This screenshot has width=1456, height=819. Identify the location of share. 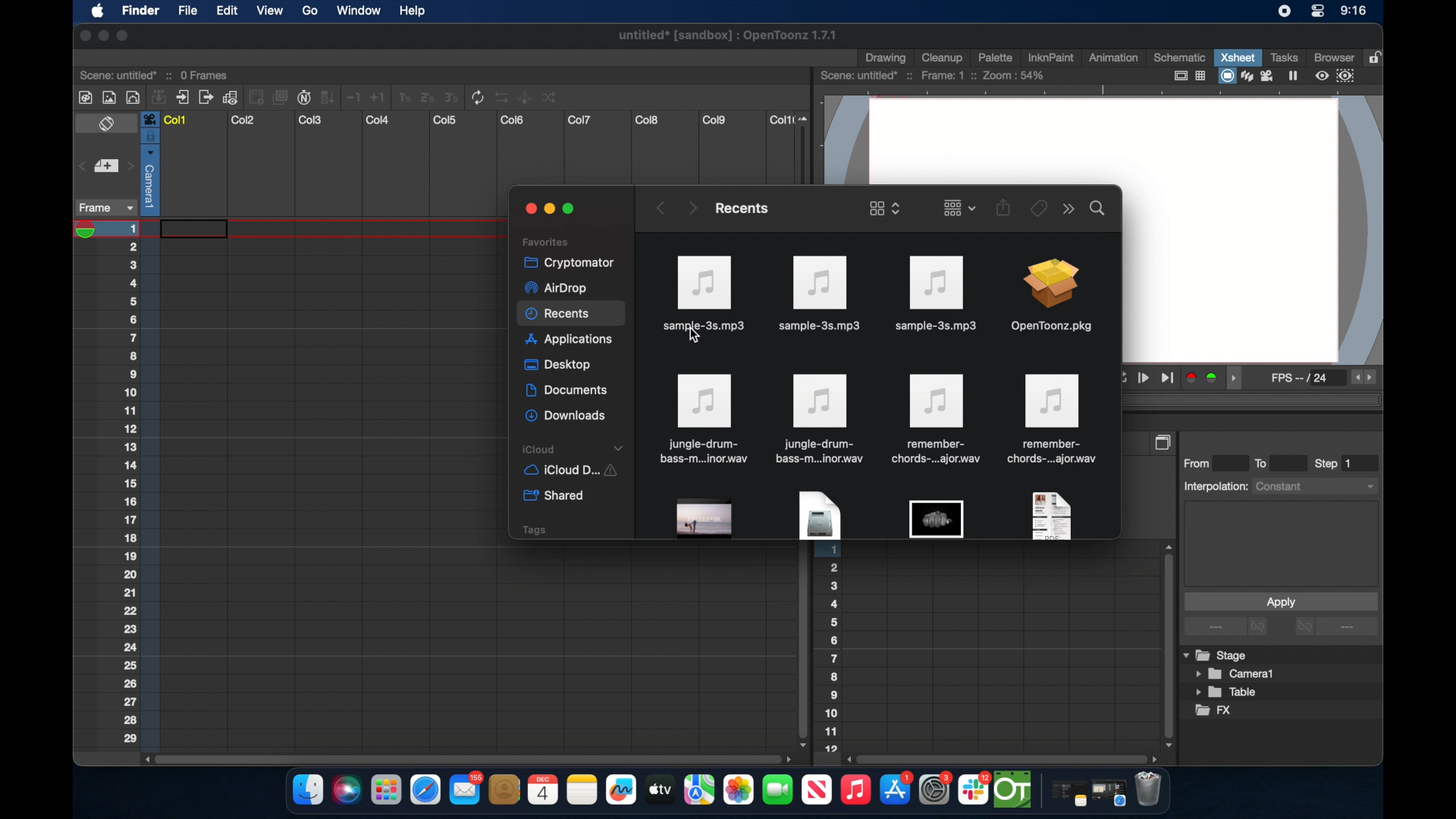
(1004, 207).